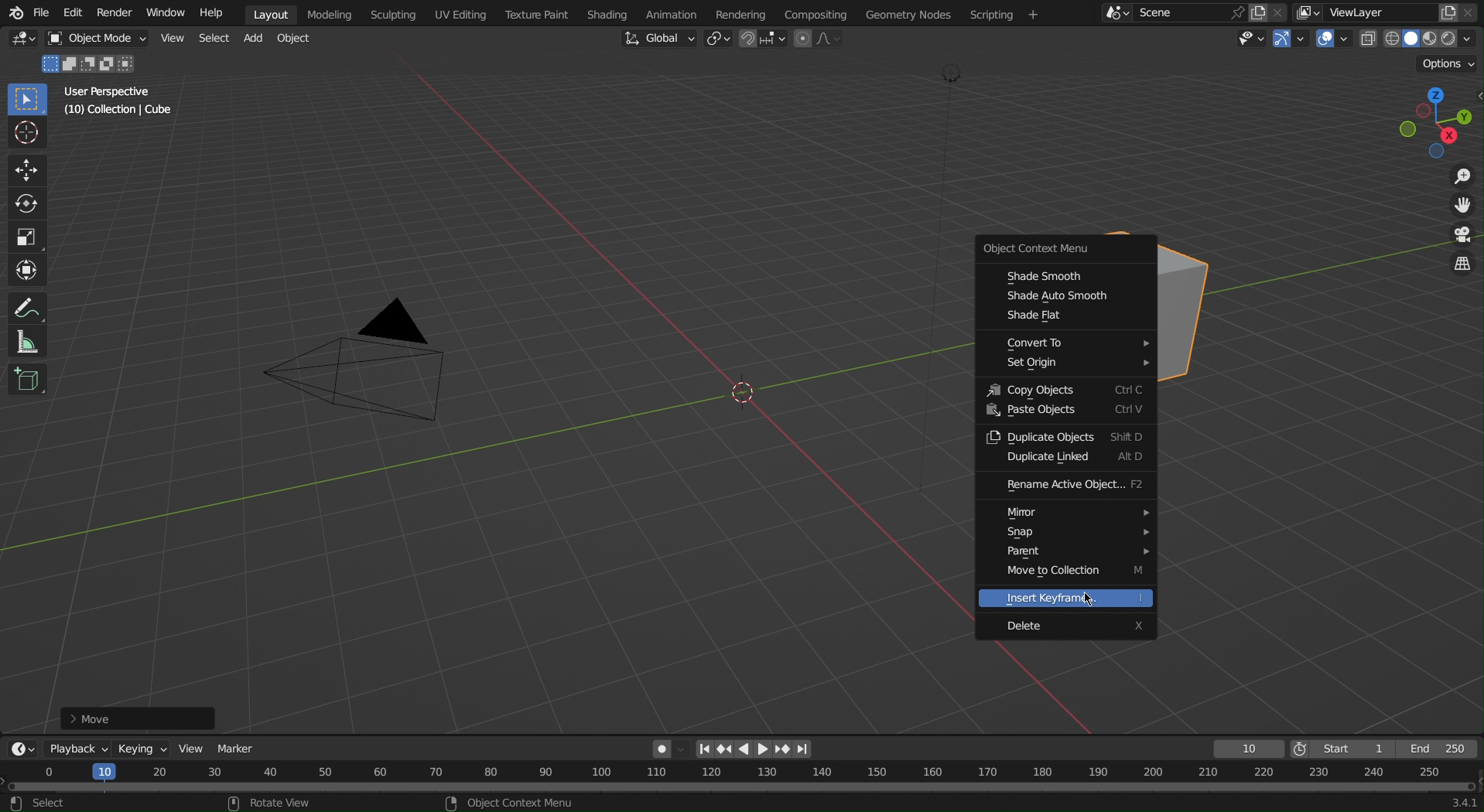 This screenshot has width=1484, height=812. Describe the element at coordinates (1448, 11) in the screenshot. I see `copy` at that location.